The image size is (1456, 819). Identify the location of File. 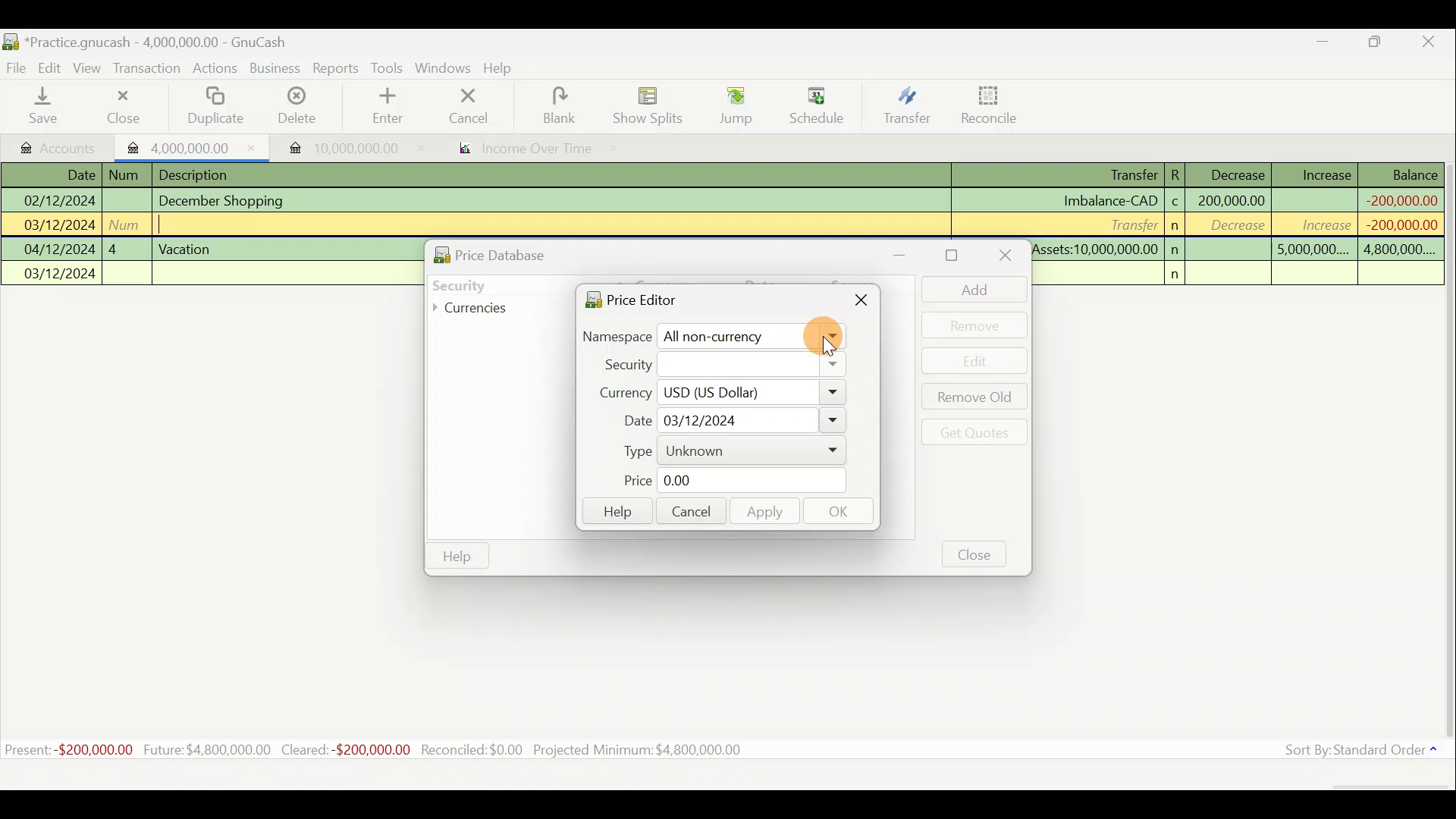
(17, 65).